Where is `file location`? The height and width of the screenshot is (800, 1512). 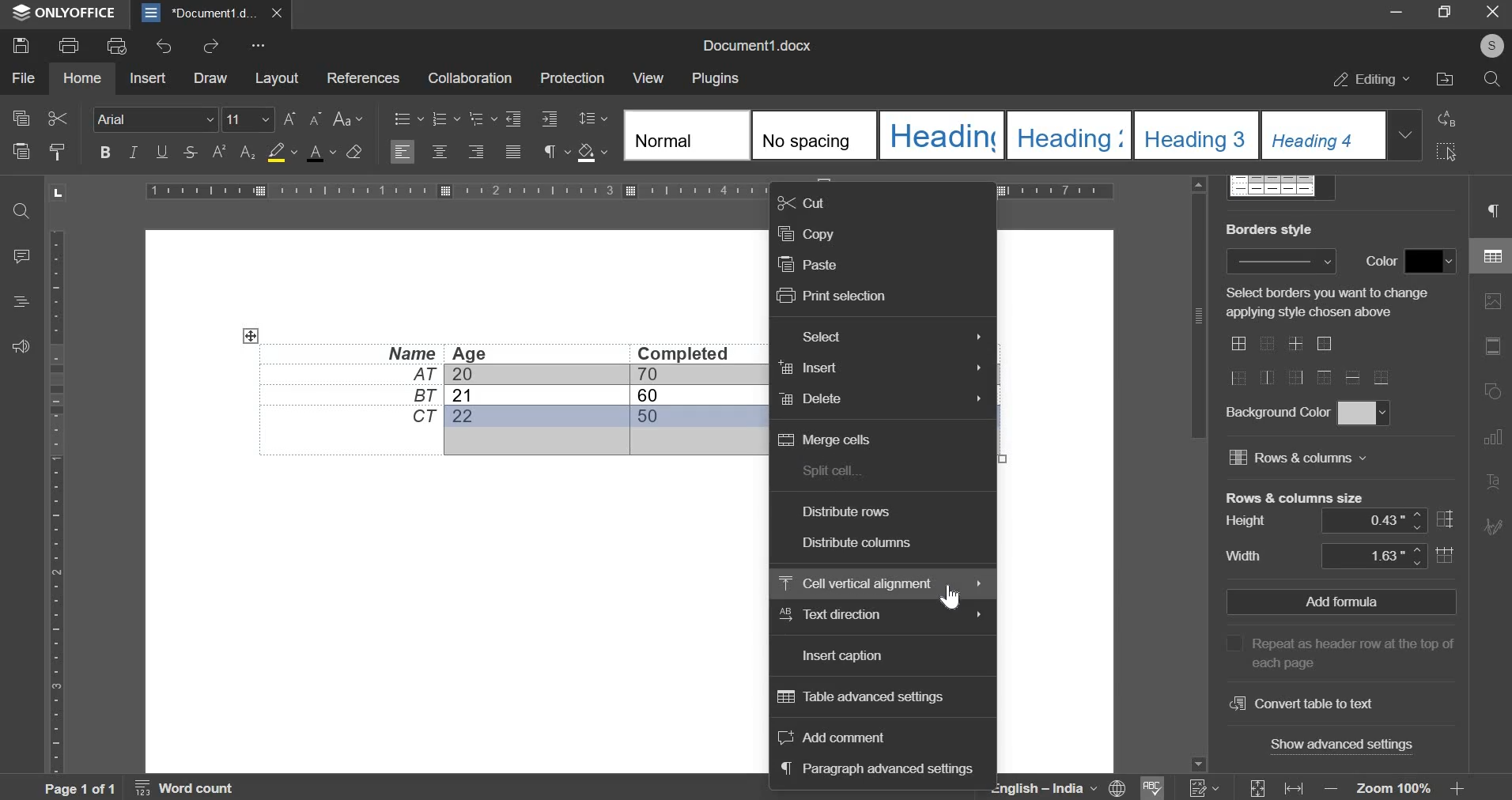 file location is located at coordinates (1444, 79).